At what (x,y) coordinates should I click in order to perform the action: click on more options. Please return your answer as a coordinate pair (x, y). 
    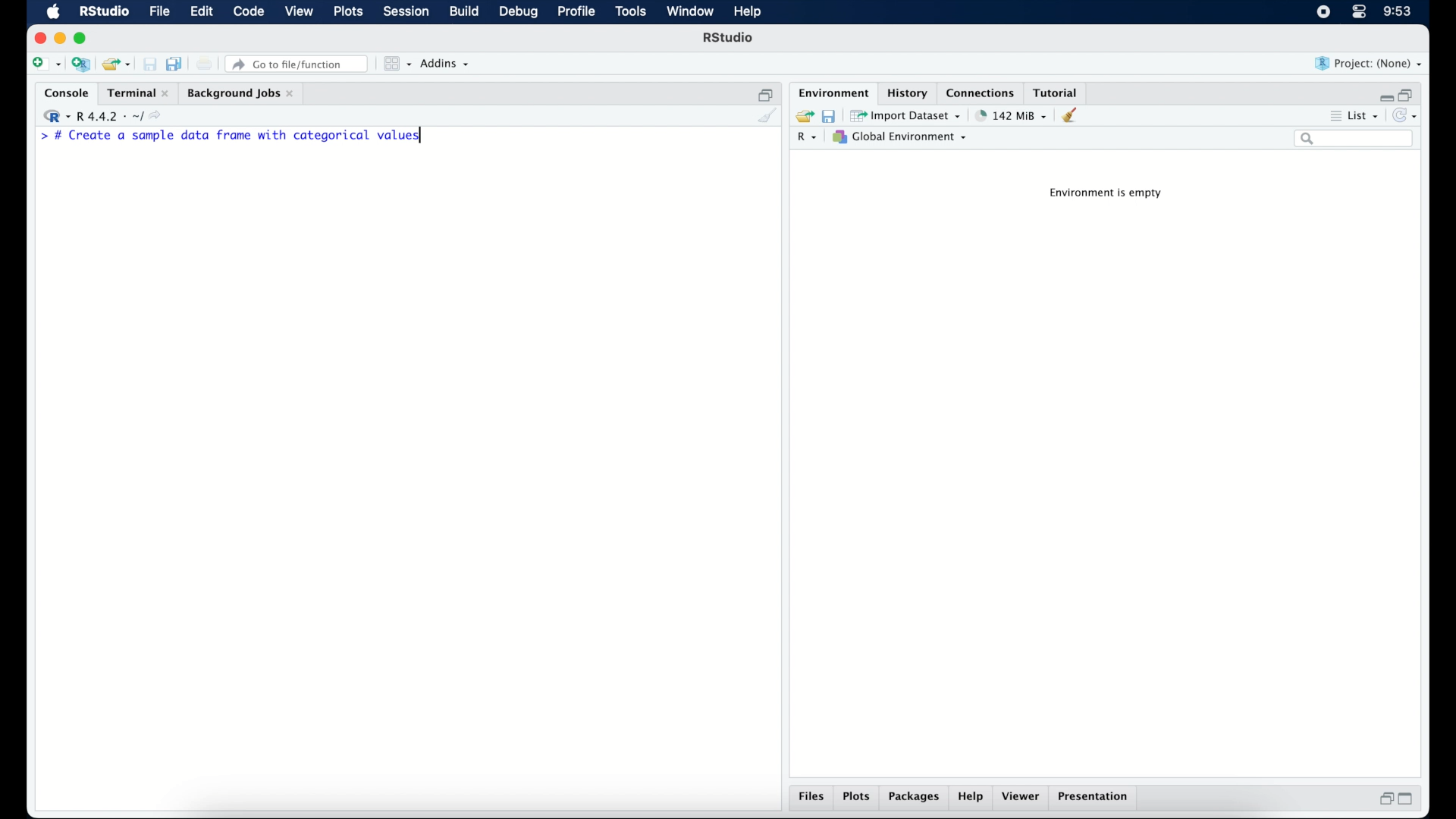
    Looking at the image, I should click on (1333, 115).